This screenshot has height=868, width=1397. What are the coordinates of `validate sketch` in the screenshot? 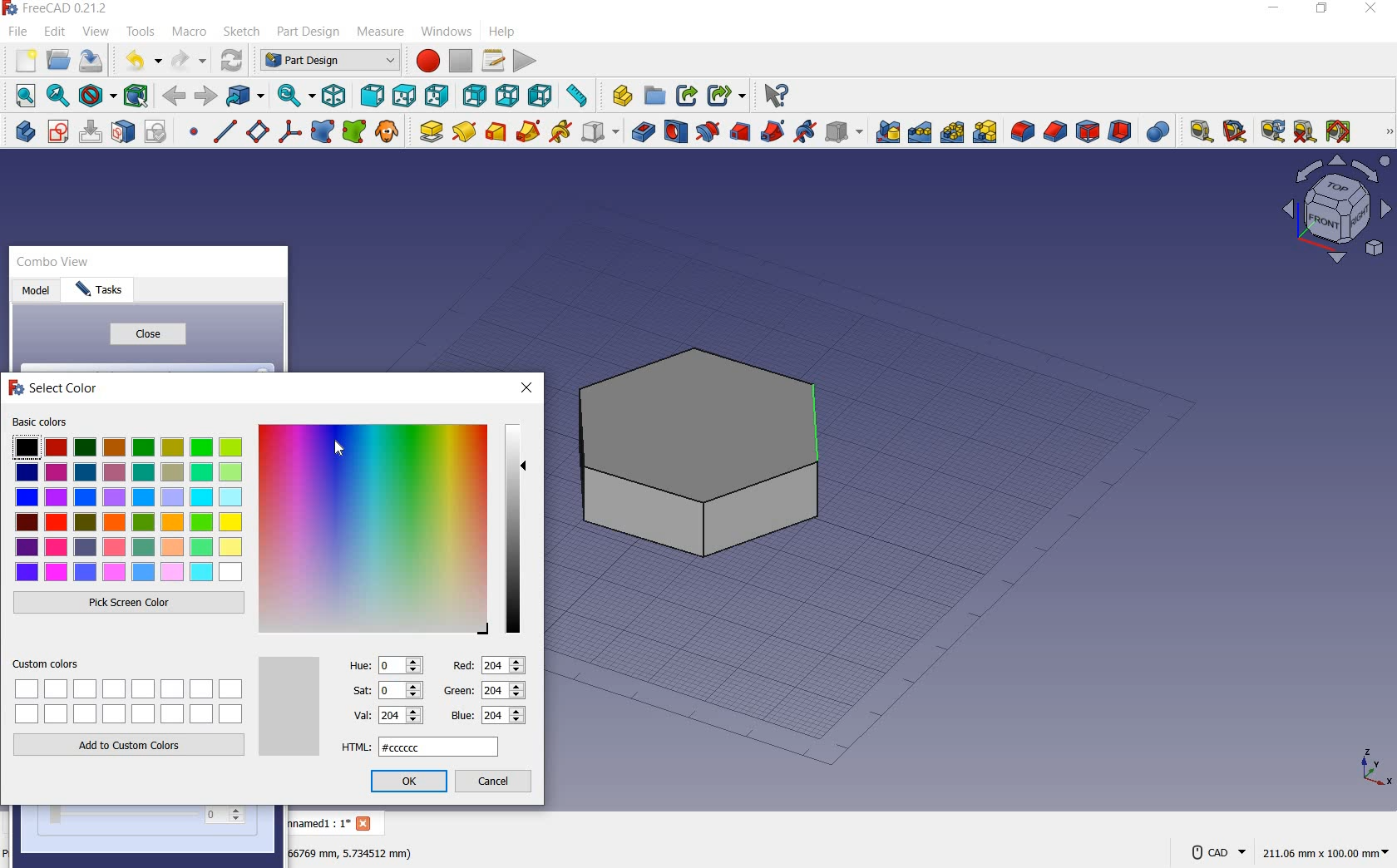 It's located at (159, 131).